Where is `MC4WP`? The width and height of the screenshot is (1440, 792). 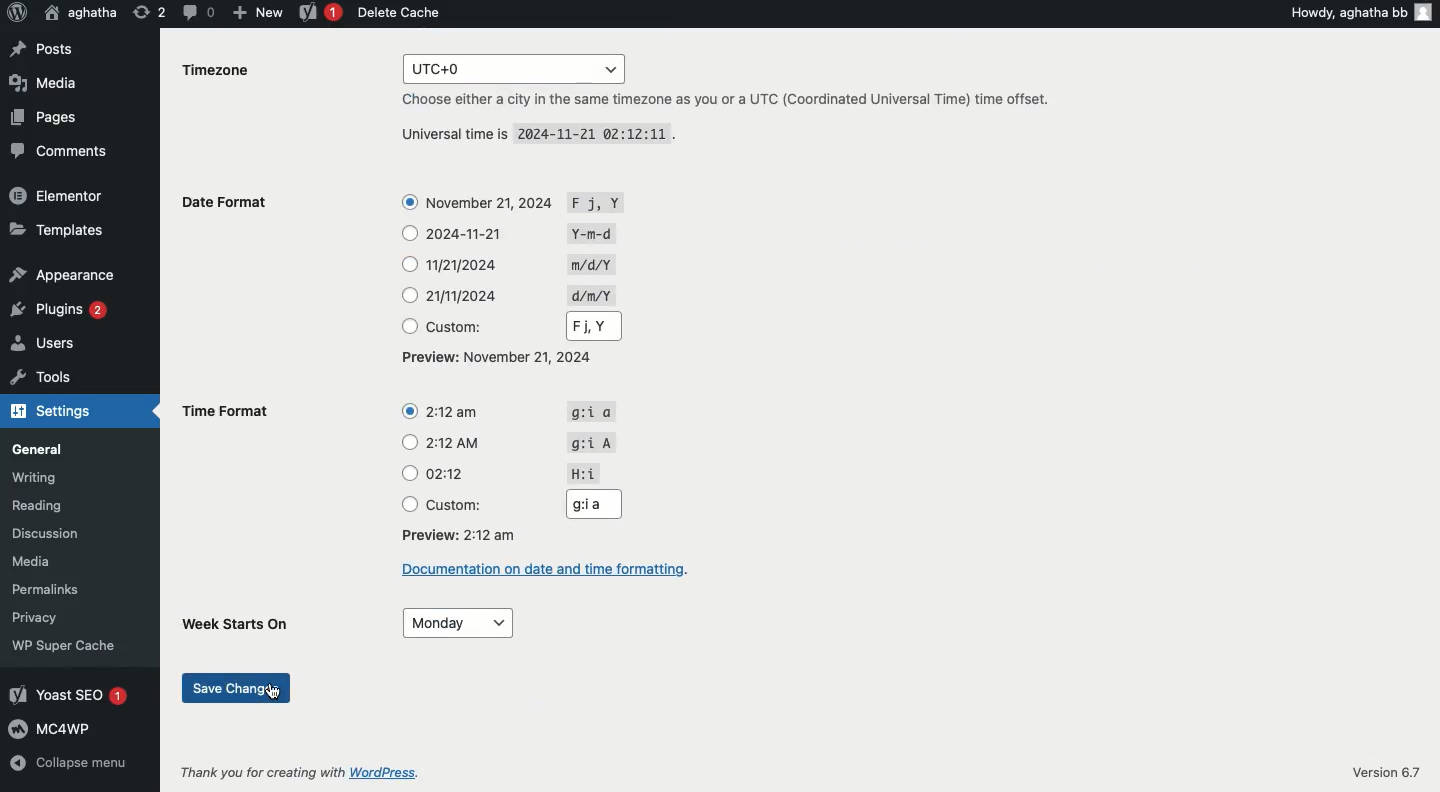
MC4WP is located at coordinates (69, 730).